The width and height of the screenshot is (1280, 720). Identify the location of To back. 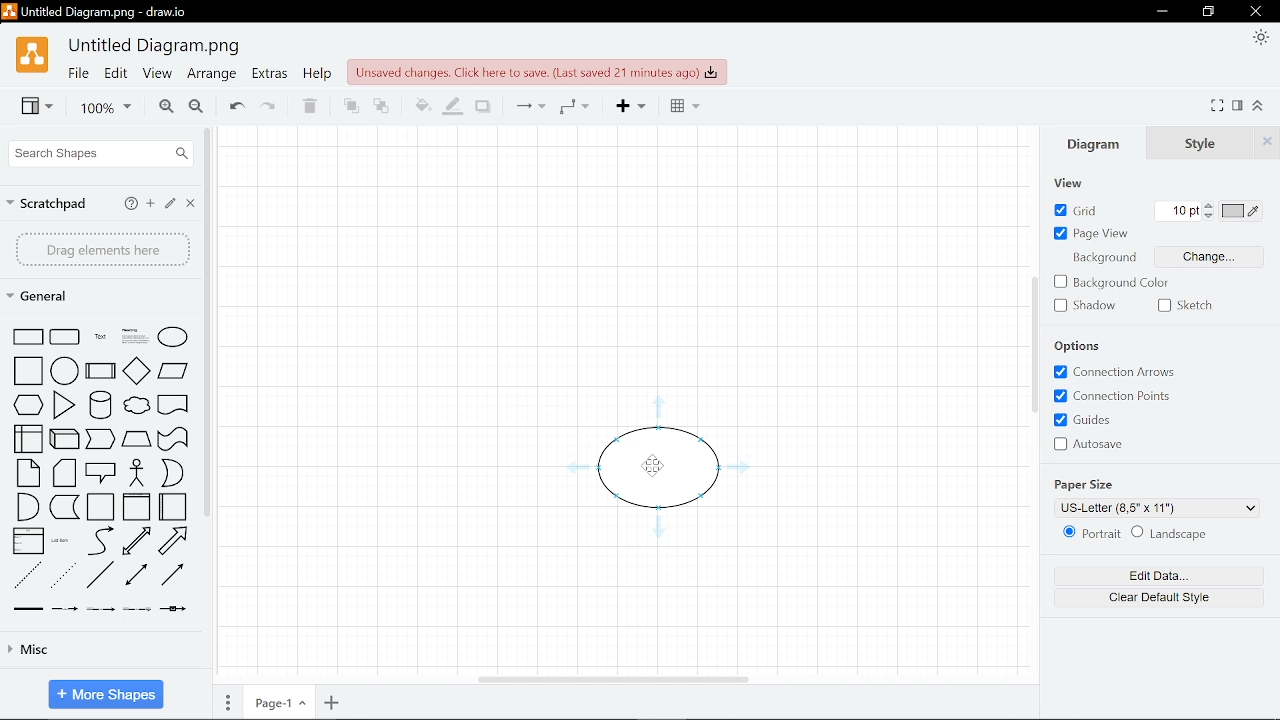
(381, 104).